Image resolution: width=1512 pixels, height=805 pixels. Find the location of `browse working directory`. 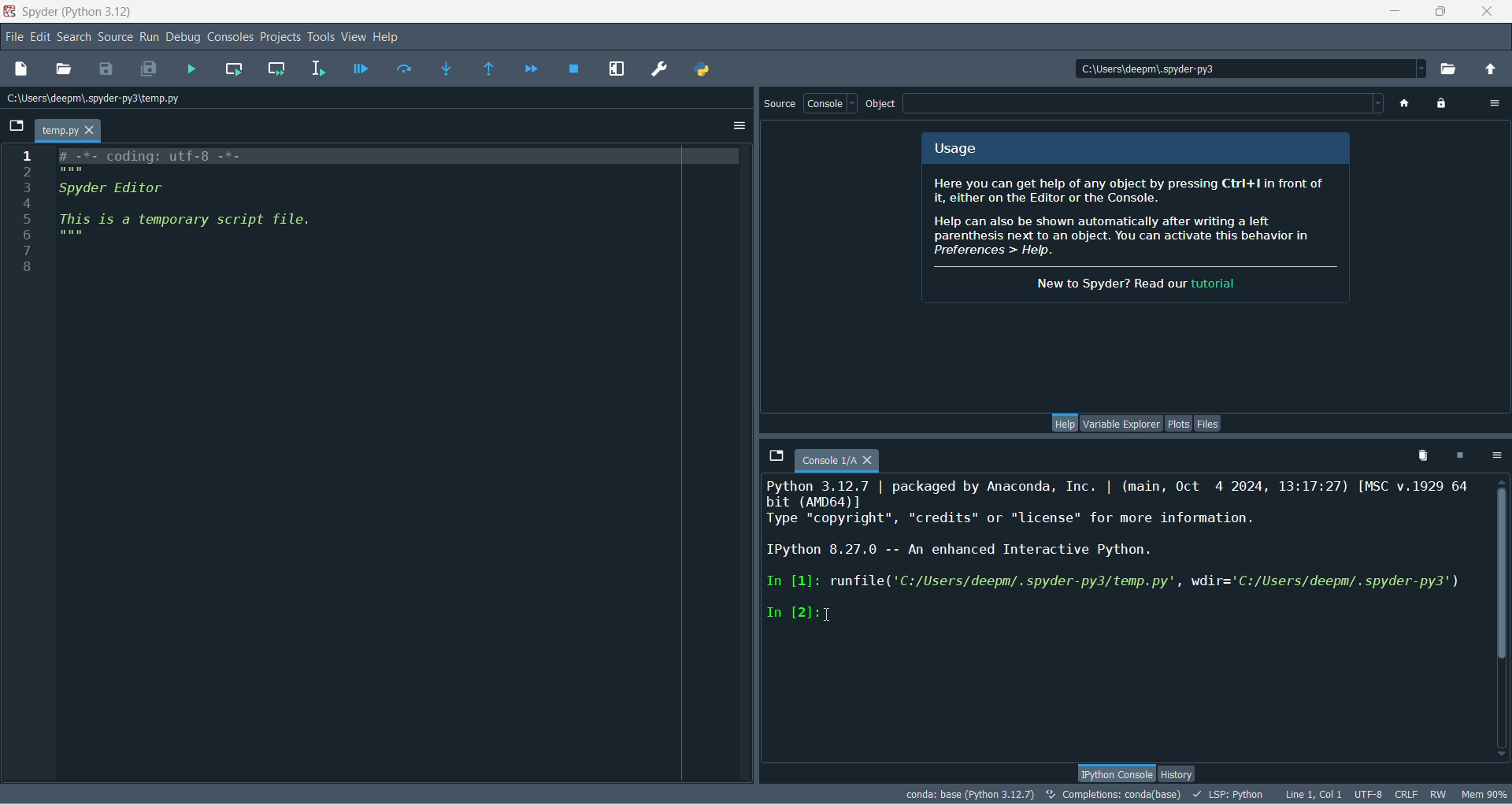

browse working directory is located at coordinates (1453, 70).